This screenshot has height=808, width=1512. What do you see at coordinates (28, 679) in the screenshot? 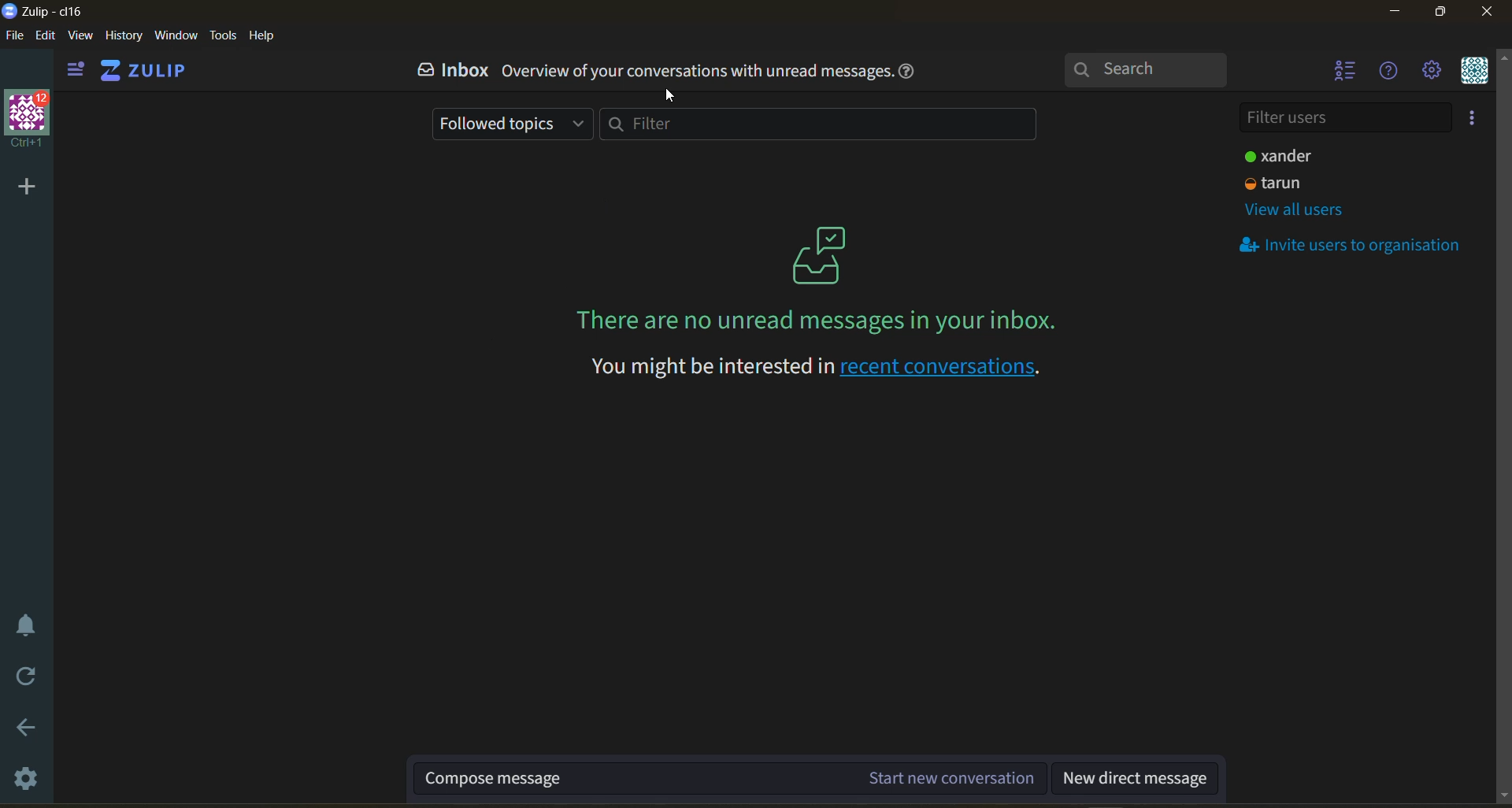
I see `reload` at bounding box center [28, 679].